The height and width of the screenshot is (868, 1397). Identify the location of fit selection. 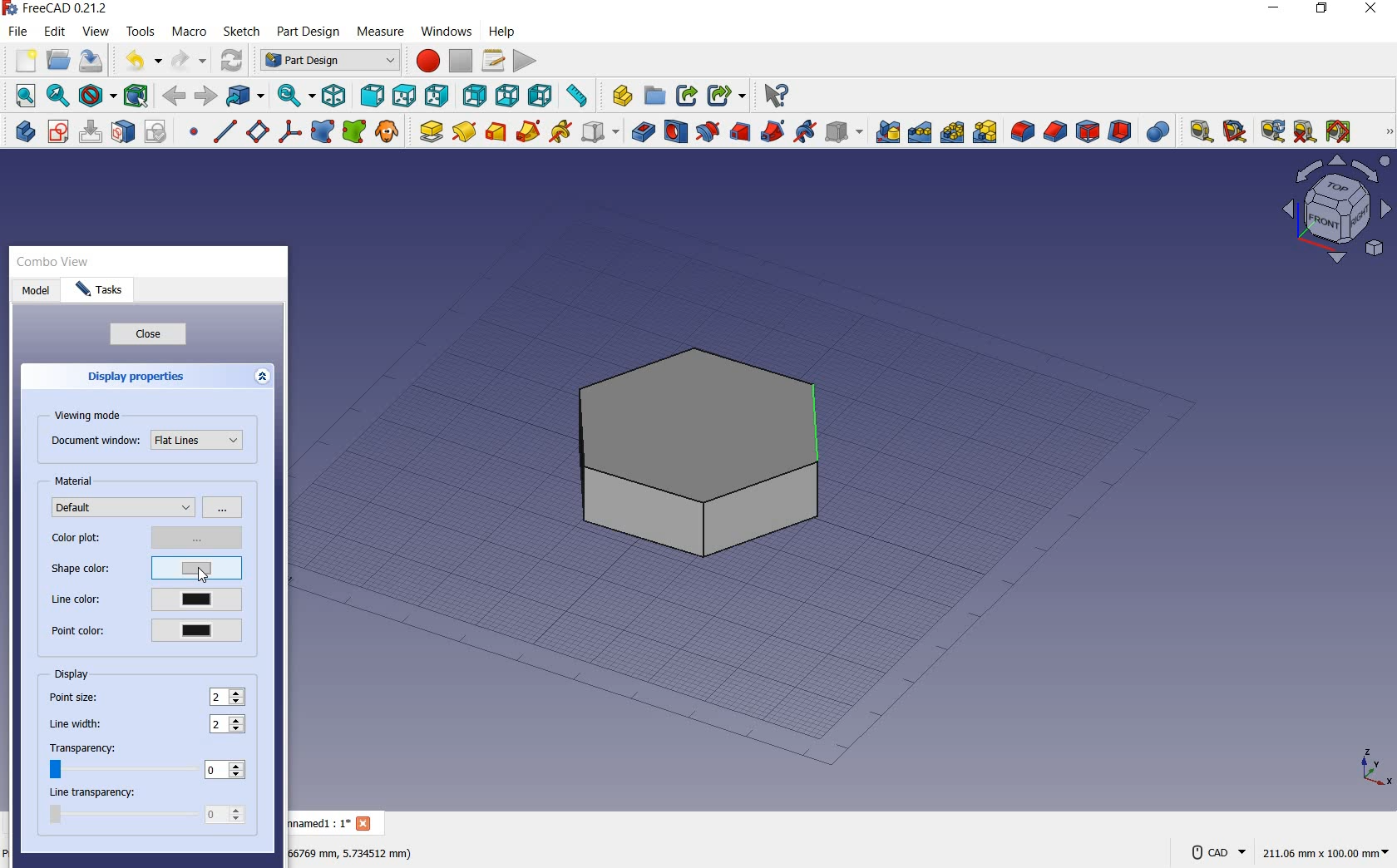
(57, 96).